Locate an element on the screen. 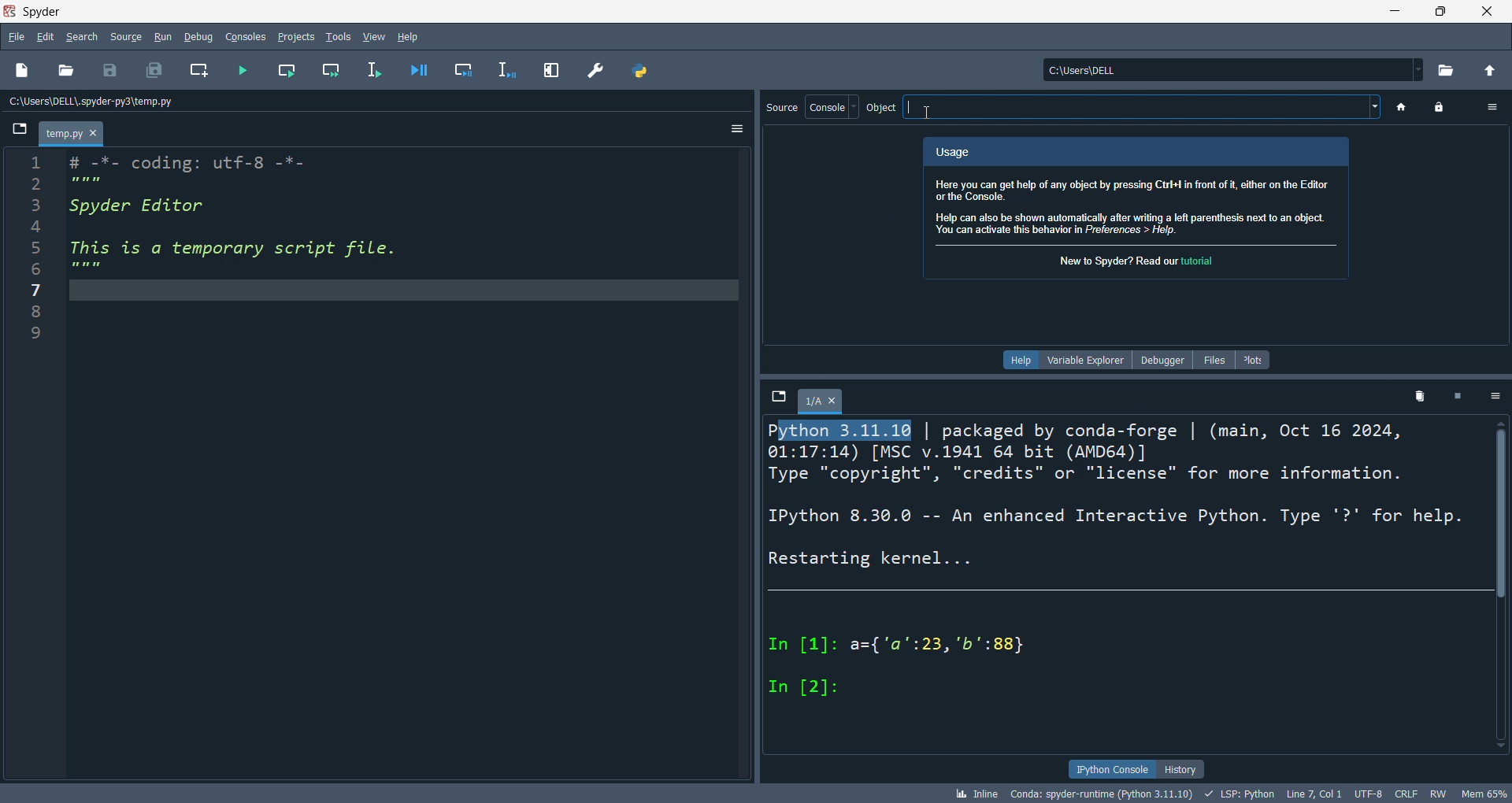  view is located at coordinates (372, 36).